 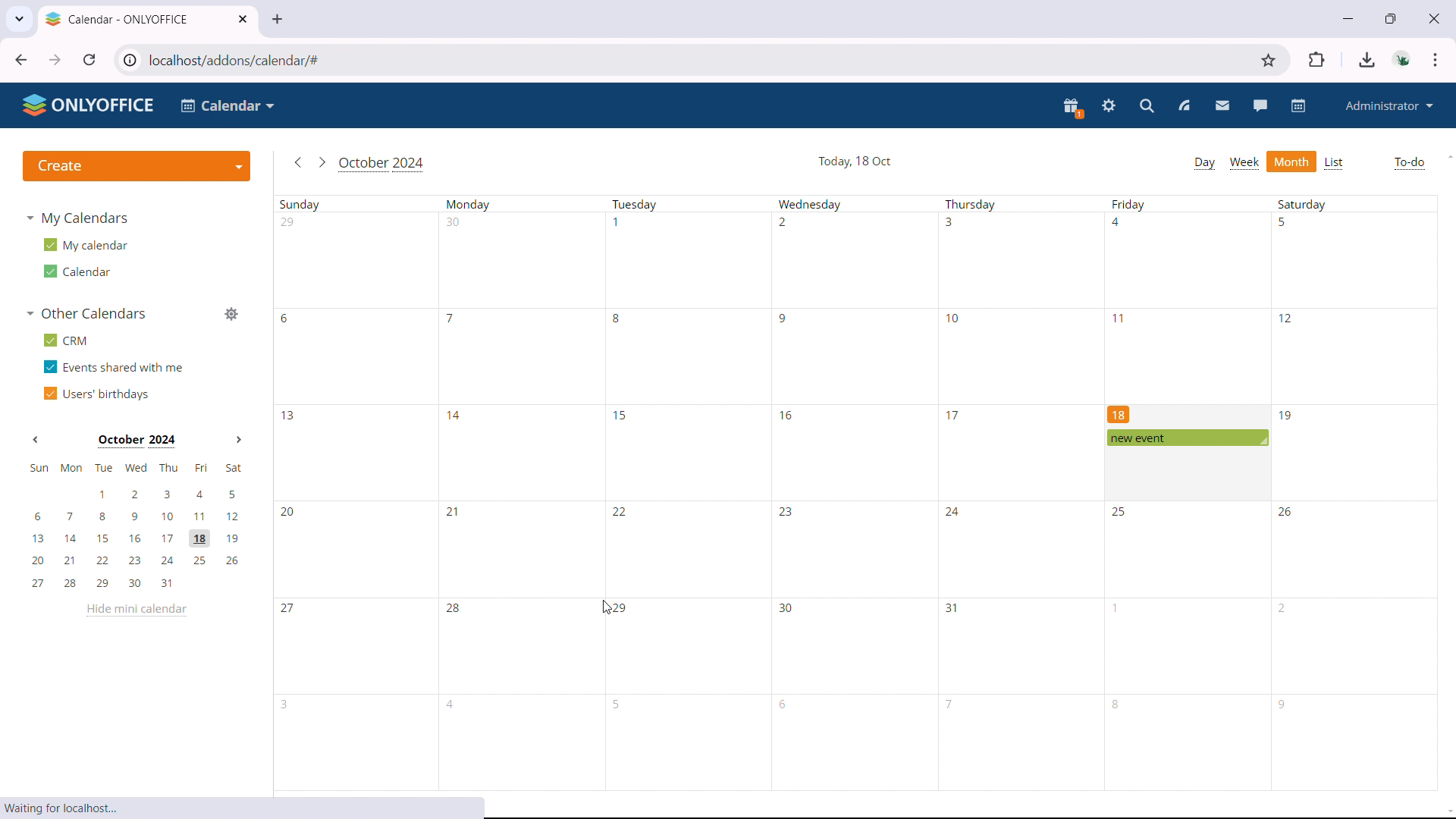 I want to click on 31, so click(x=952, y=608).